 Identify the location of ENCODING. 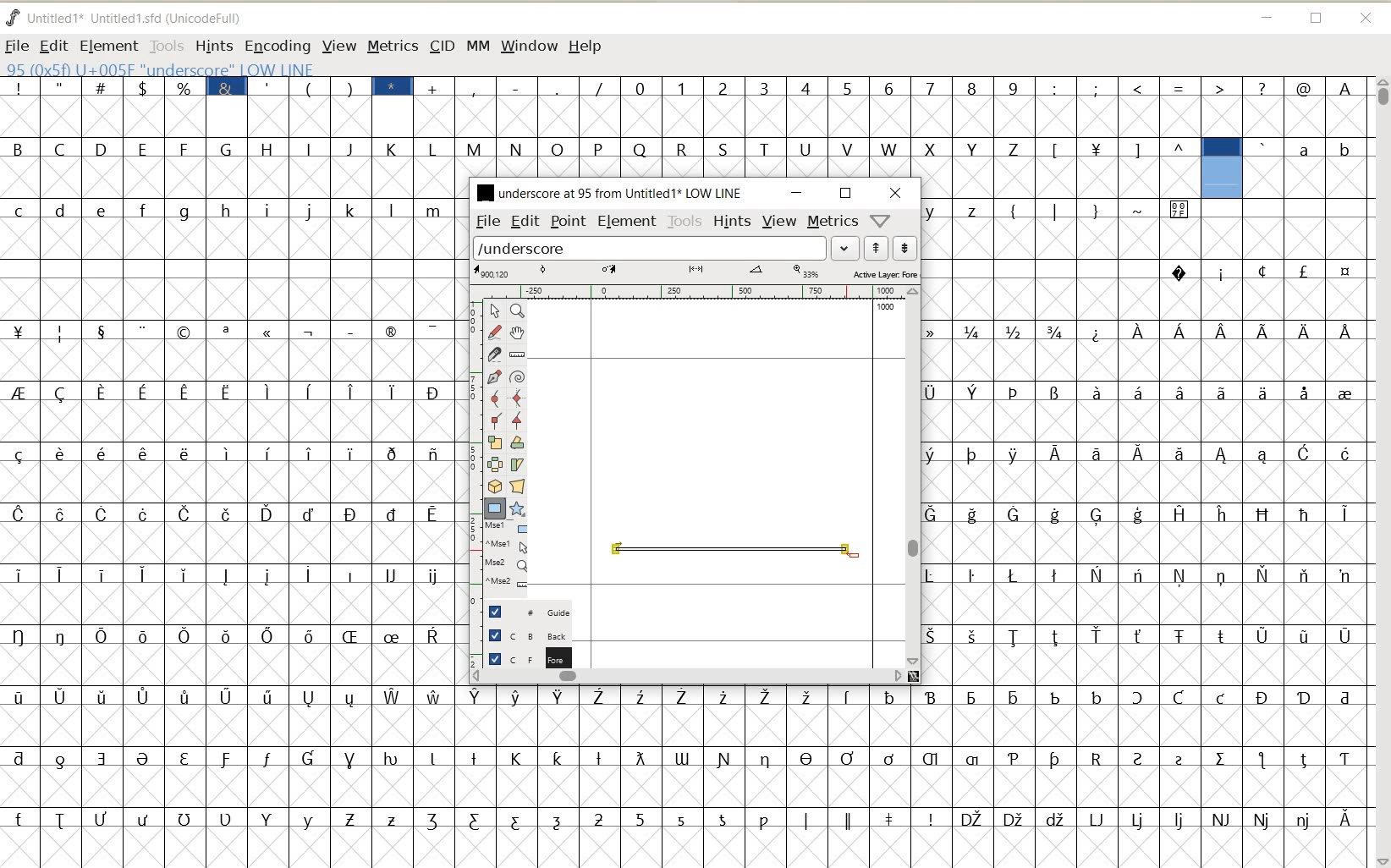
(277, 47).